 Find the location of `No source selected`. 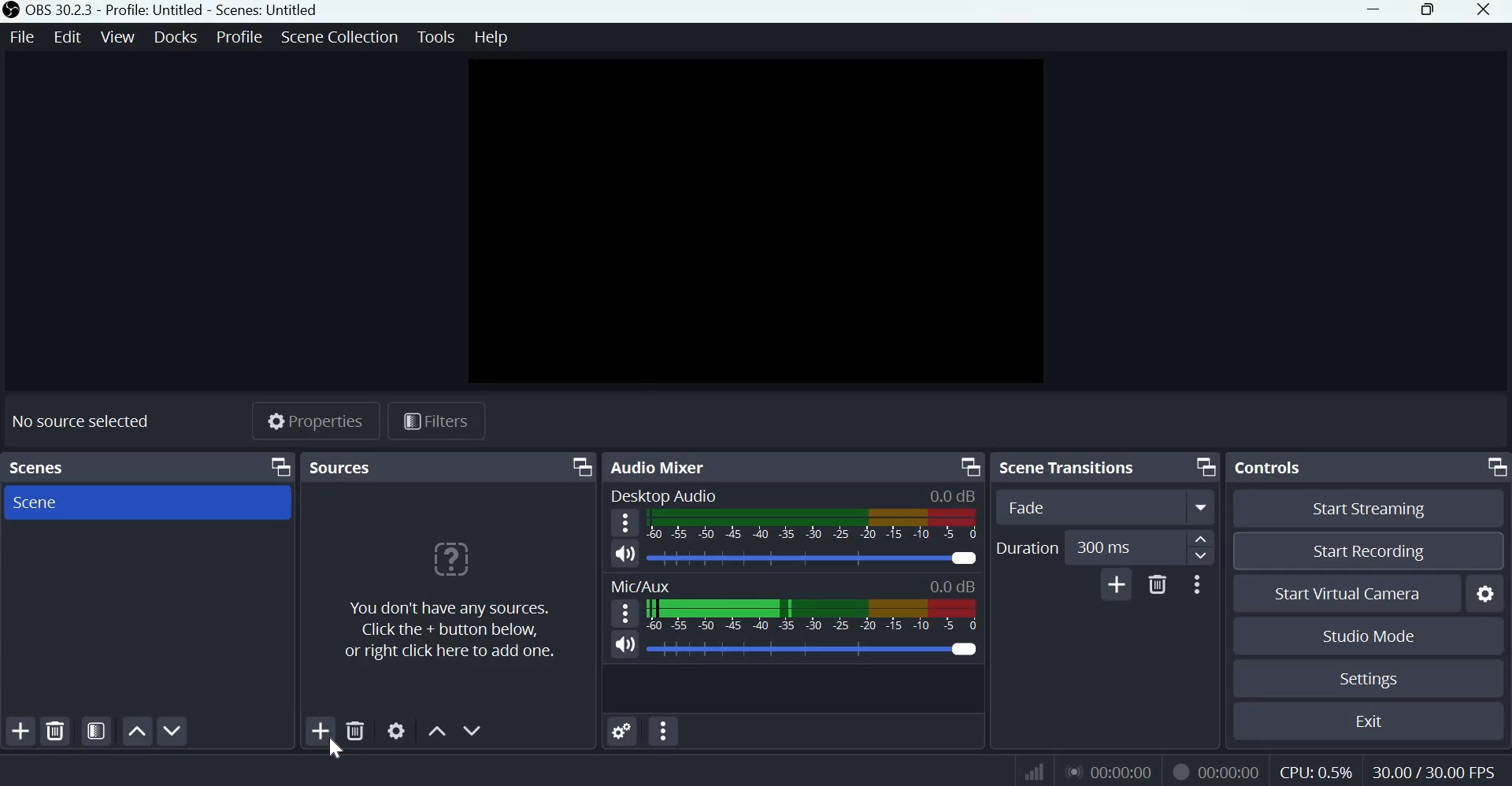

No source selected is located at coordinates (87, 424).